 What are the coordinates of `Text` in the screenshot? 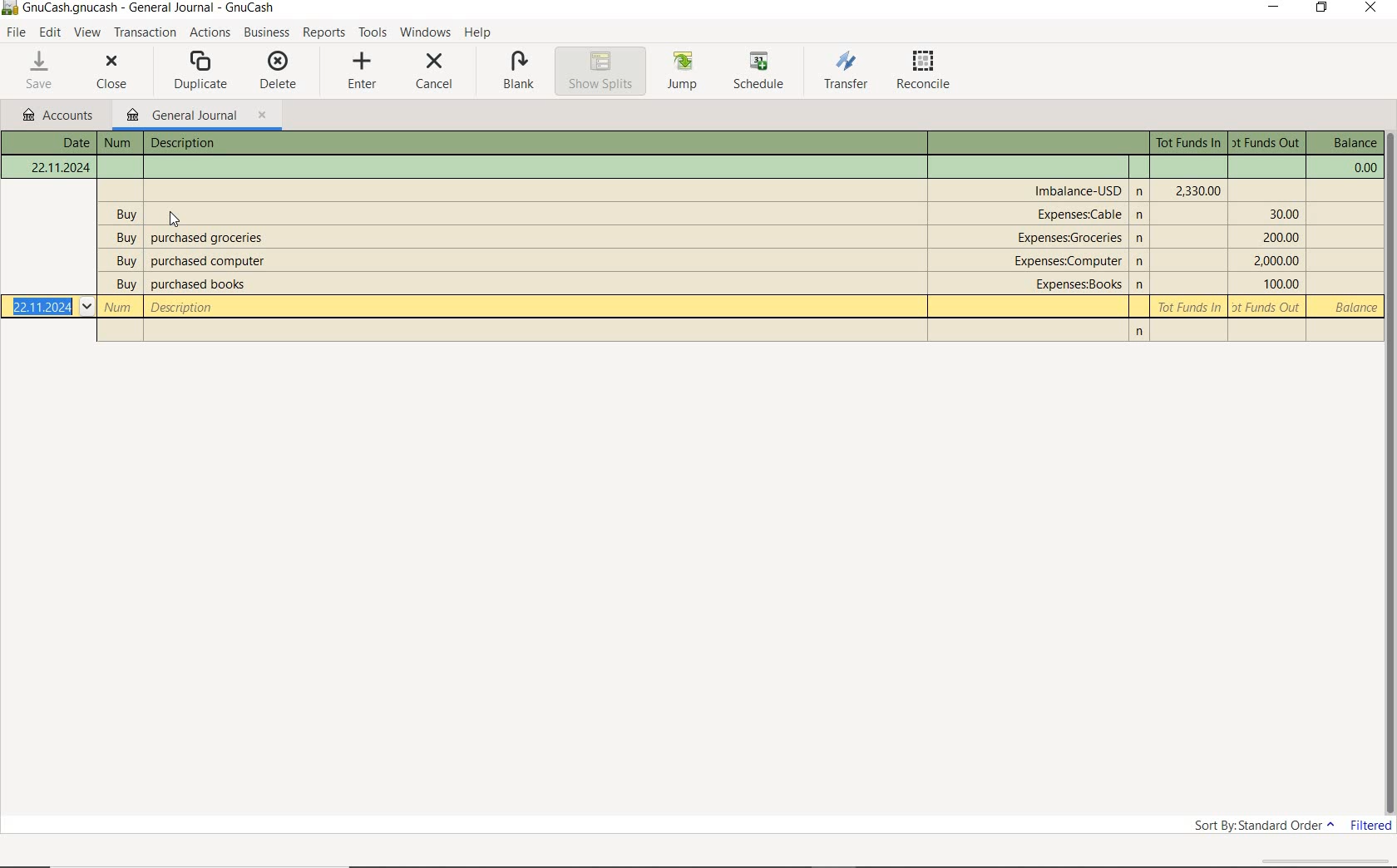 It's located at (702, 283).